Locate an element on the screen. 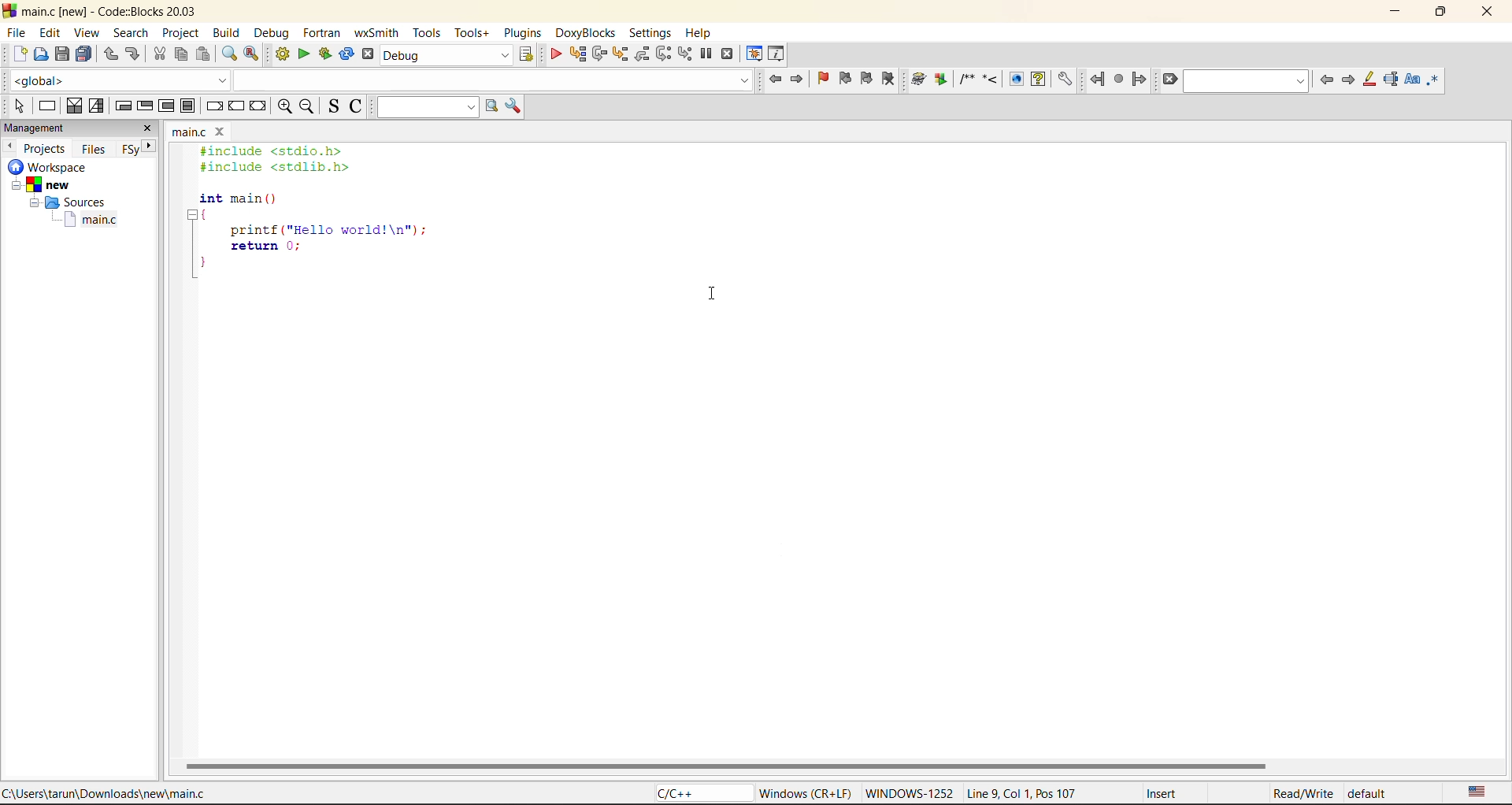  zoom out is located at coordinates (308, 108).